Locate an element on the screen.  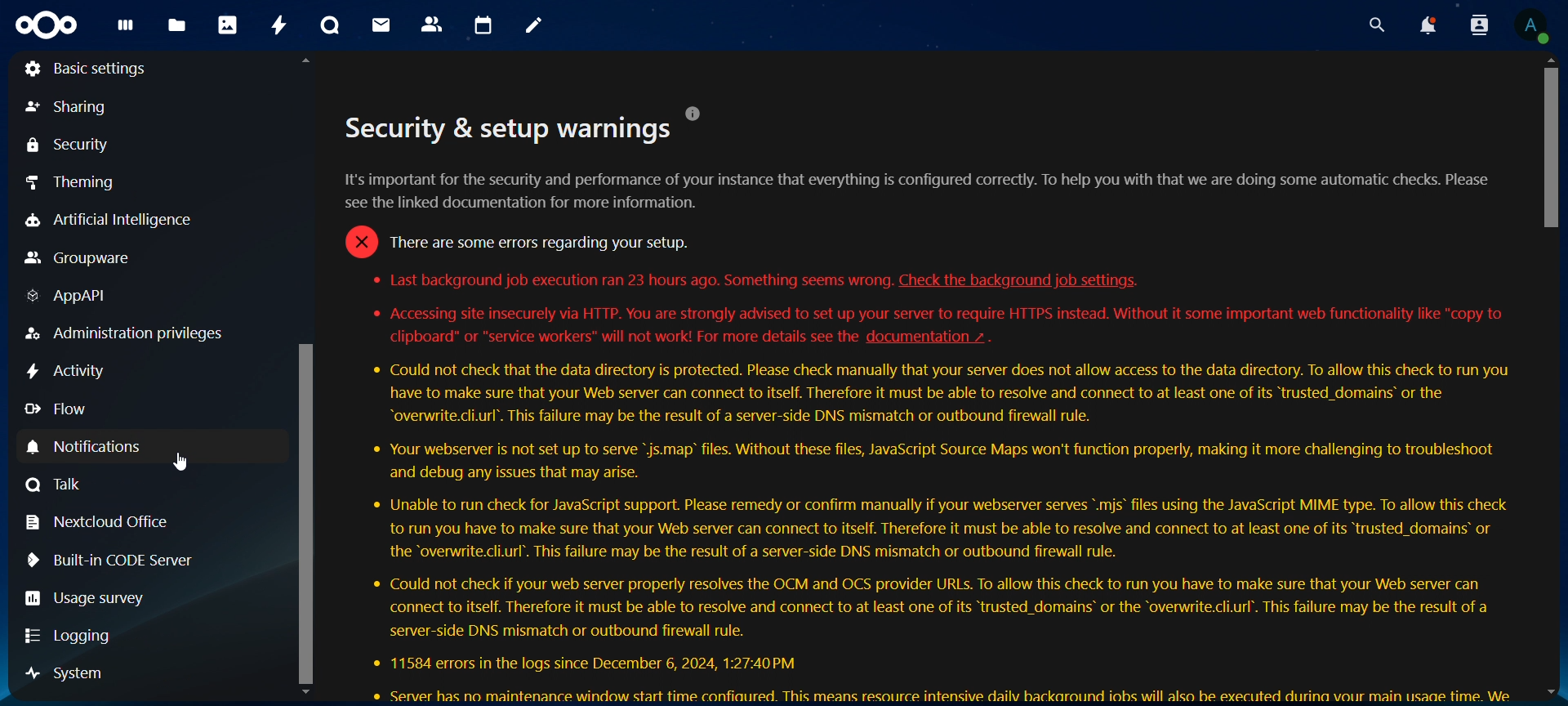
. . [J]Security & setup warningst's important for the security and performance of your instance that everything is configured correctly. To help you with that we are doing some automatic checks. Pleaseee the linked documentation for more information.= There are some errors regarding your setup.* Last background job execution ran 23 hours ago. Something seems wrong. Check the background job settings.* Accessing site insecurely via HTTP. You are strongly advised to set up your server to require HTTPS instead. Without it some important web functionality like "copy toclipboard" or “service workers" will not work! For more details see the documentation ~ .* Could not check that the data directory is protected. Please check manually that your server does not allow access to the data directory. To allow this check to run youhave to make sure that your Web server can connect to itself. Therefore it must be able to resolve and connect to at least one of its “trusted_domains’ or the“overwrite.cli.url’. This failure may be the result of a server-side DNS mismatch or outbound firewall rule.* Your webserver is not set up to serve "js.map’ files. Without these files, JavaScript Source Maps won't function properly, making it more challenging to troubleshootand debug any issues that may arise.* Unable to run check for JavaScript support. Please remedy or confirm manually if your webserver serves *.mis’ files using the JavaScript MIME type. To allow this checkto run you have to make sure that your Web server can connect to itself. Therefore it must be able to resolve and connect to at least one of its “trusted_domains’ orthe “overwrite.cli.url’. This failure may be the result of a server-side DNS mismatch or outbound firewall rule.* Could not check if your web server properly resolves the OCM and OCS provider URLs. To allow this check to run you have to make sure that your Web server canconnect to itself. Therefore it must be able to resolve and connect to at least one of its “trusted_domains’ or the “overwrite.cli.url’. This failure may be the result of aserver-side DNS mismatch or outbound firewall rule.* 11584 errors in the logs since December 6, 2024, 1:27:40 PM® Server has no maintenance window start time confiaured. This means resource intensive dailv backaround iobs will also be executed durina vour main usaae time. We is located at coordinates (927, 404).